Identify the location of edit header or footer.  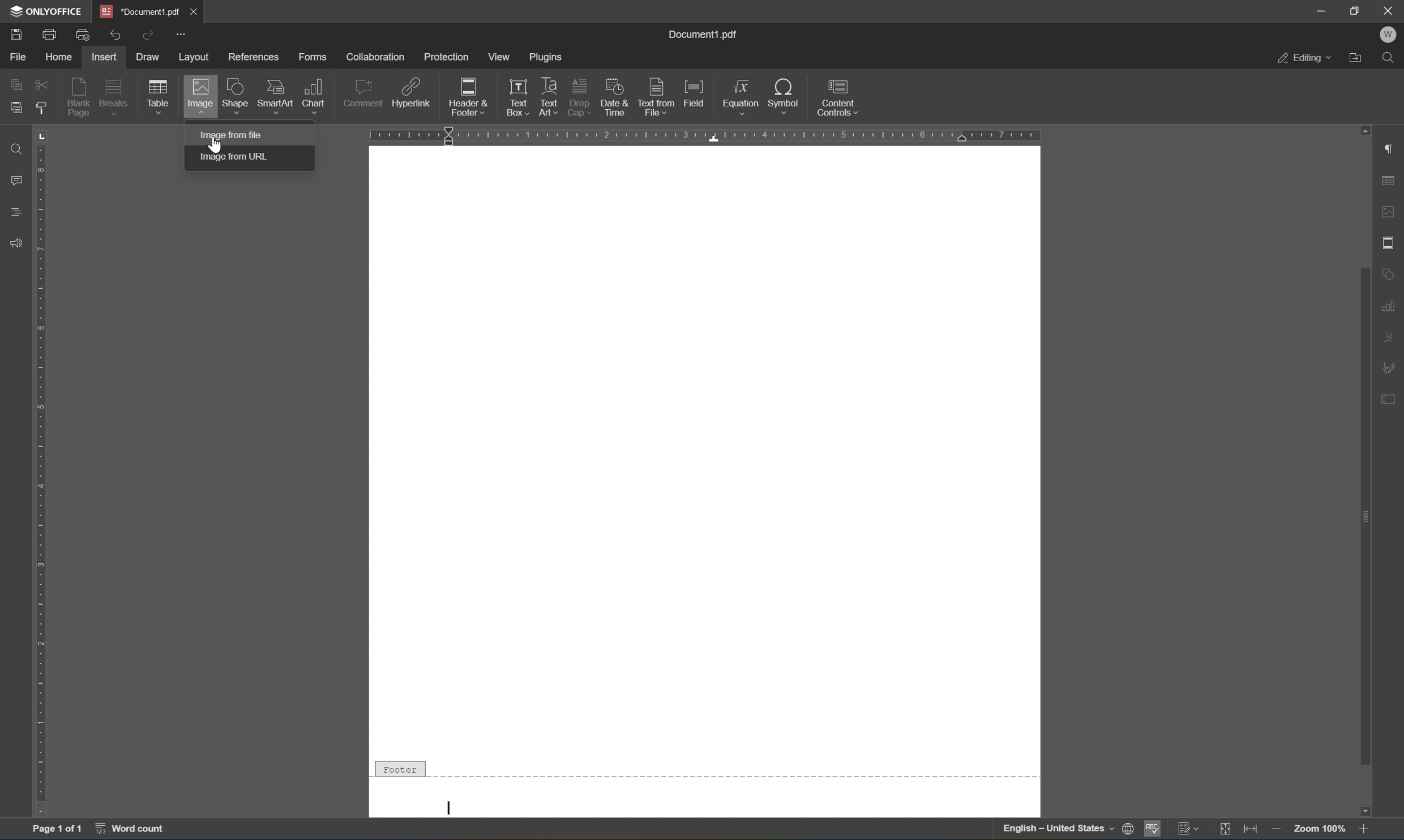
(528, 110).